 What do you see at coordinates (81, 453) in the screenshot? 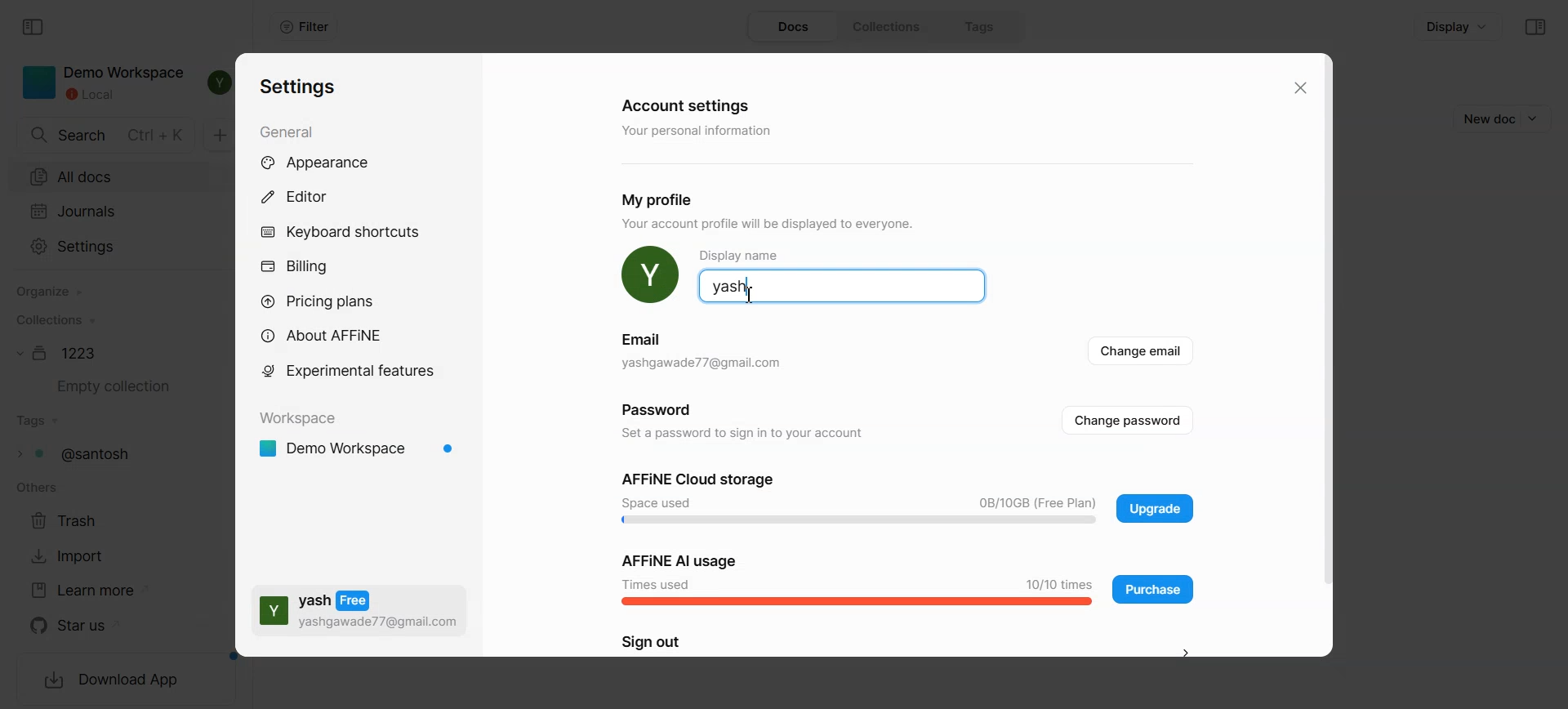
I see `Tags` at bounding box center [81, 453].